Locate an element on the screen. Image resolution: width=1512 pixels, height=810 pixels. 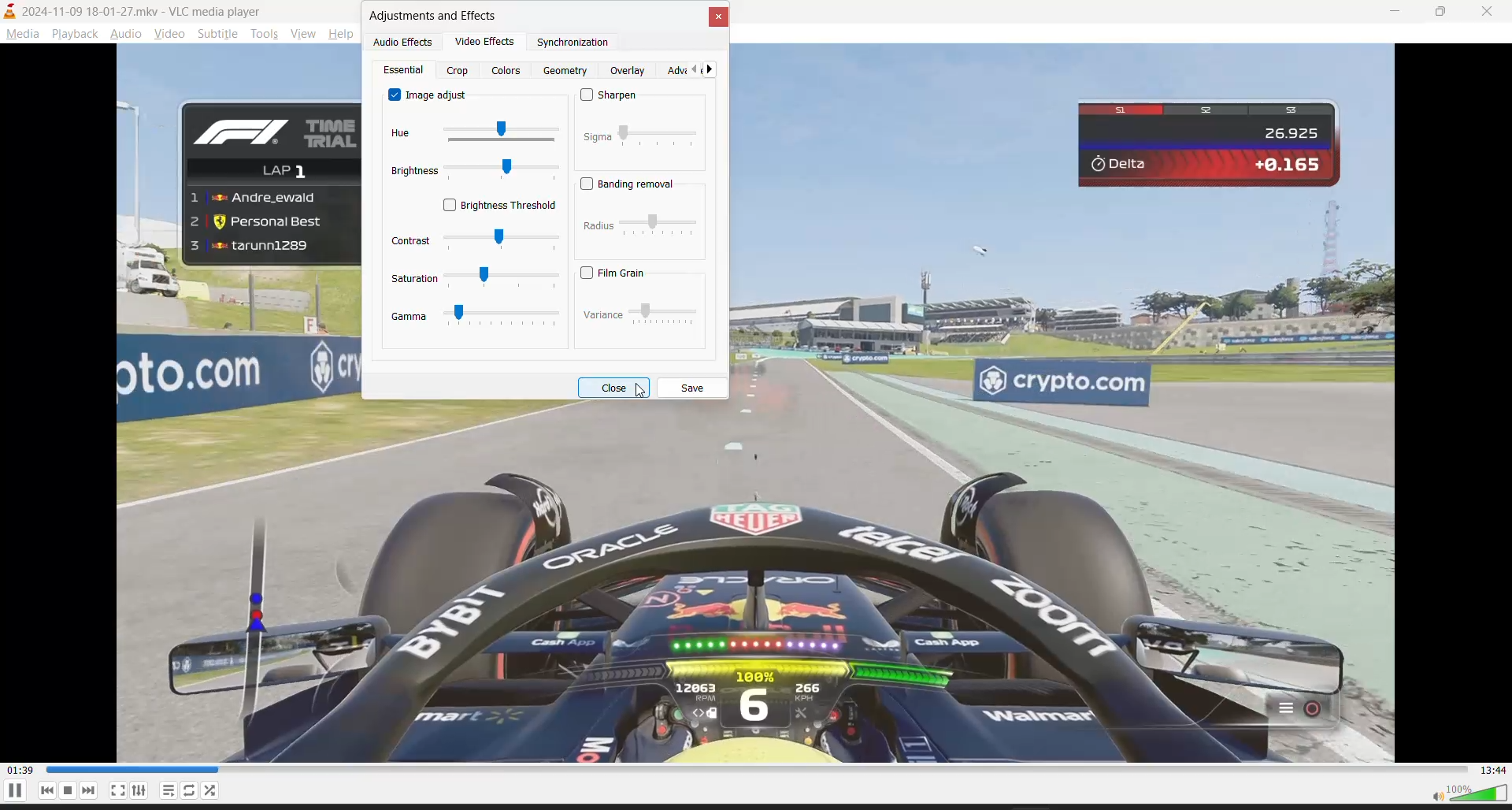
image adjust is located at coordinates (424, 97).